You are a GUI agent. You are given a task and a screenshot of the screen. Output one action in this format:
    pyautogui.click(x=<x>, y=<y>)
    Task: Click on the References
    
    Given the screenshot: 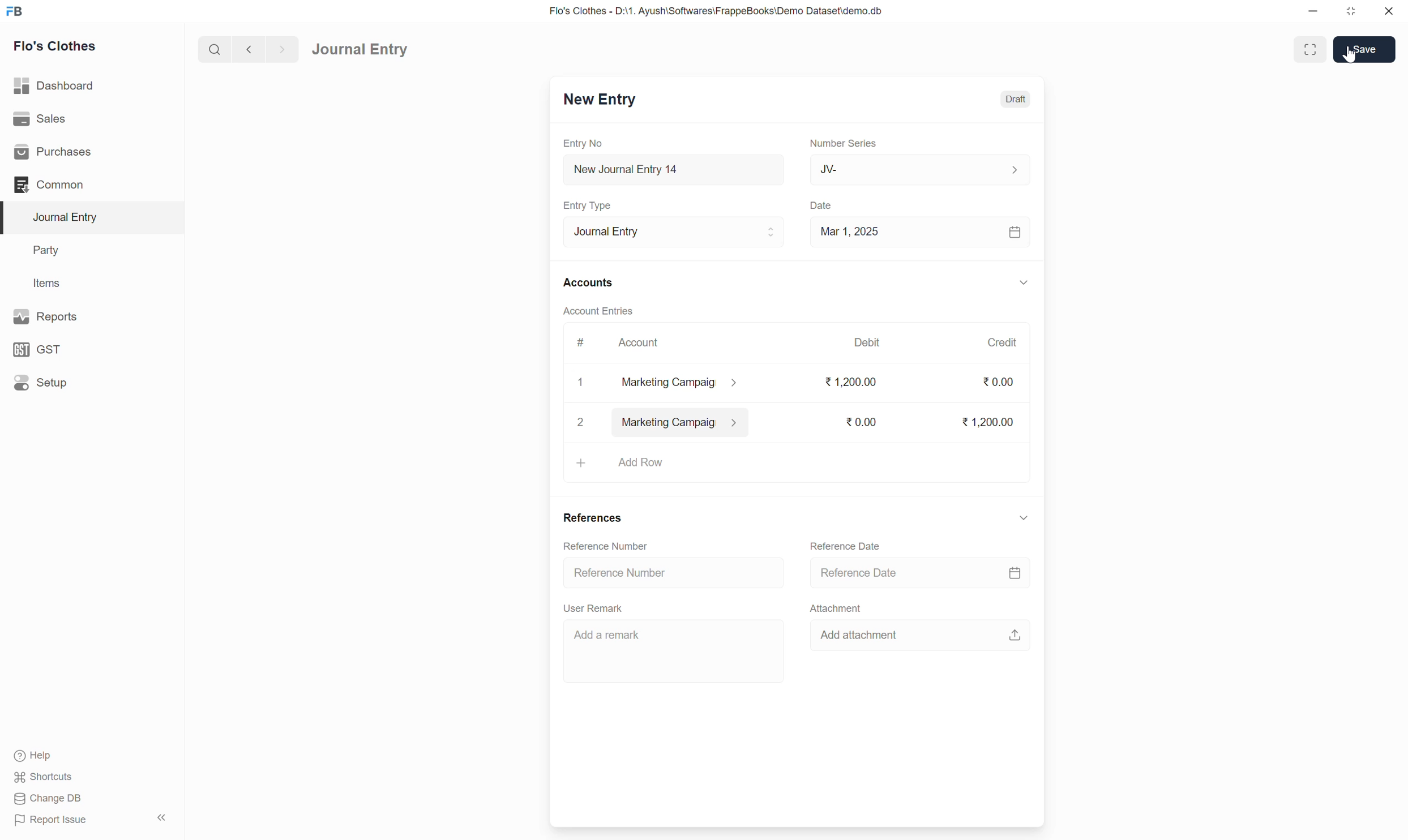 What is the action you would take?
    pyautogui.click(x=595, y=519)
    